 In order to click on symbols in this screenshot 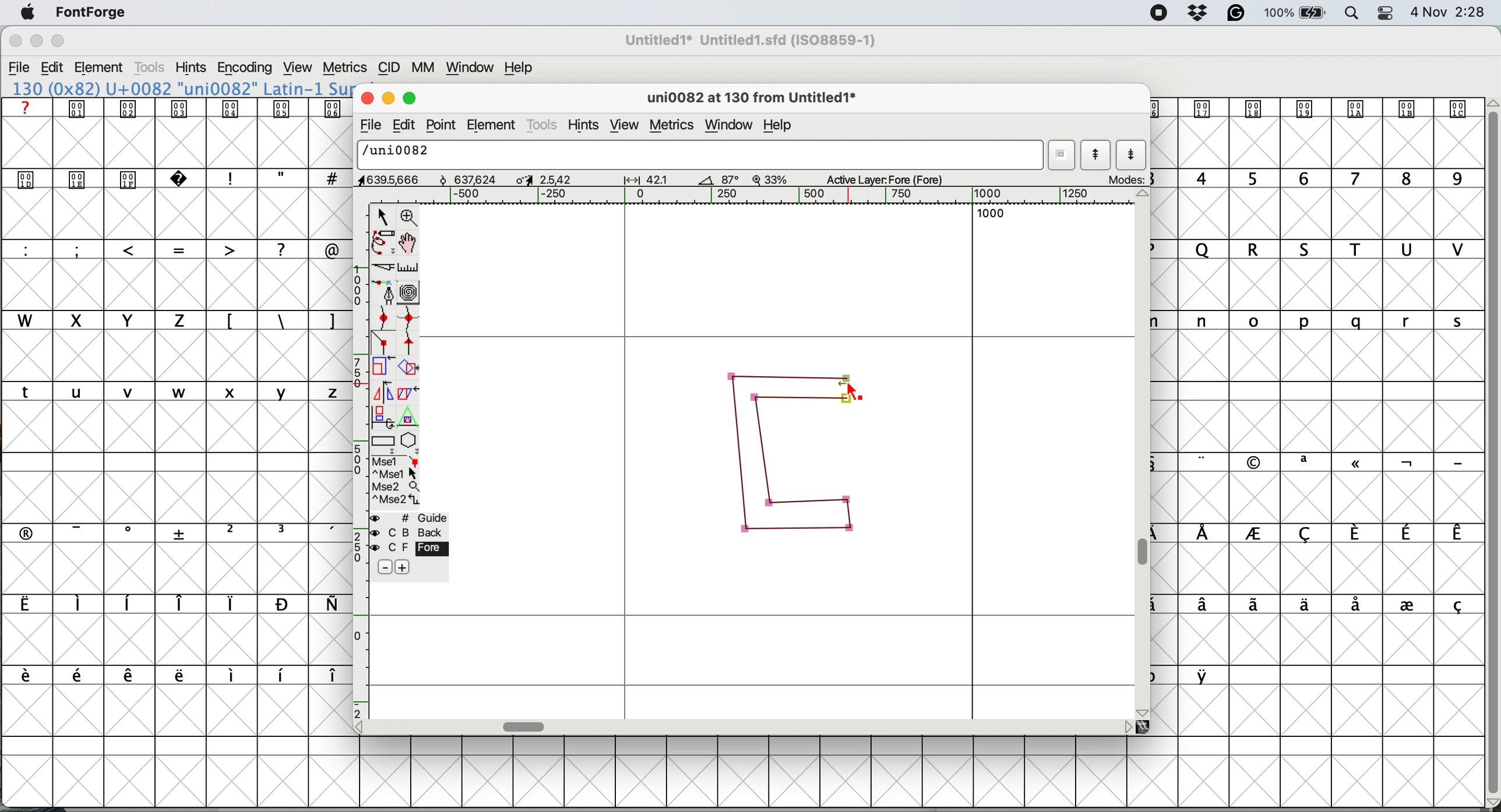, I will do `click(185, 532)`.